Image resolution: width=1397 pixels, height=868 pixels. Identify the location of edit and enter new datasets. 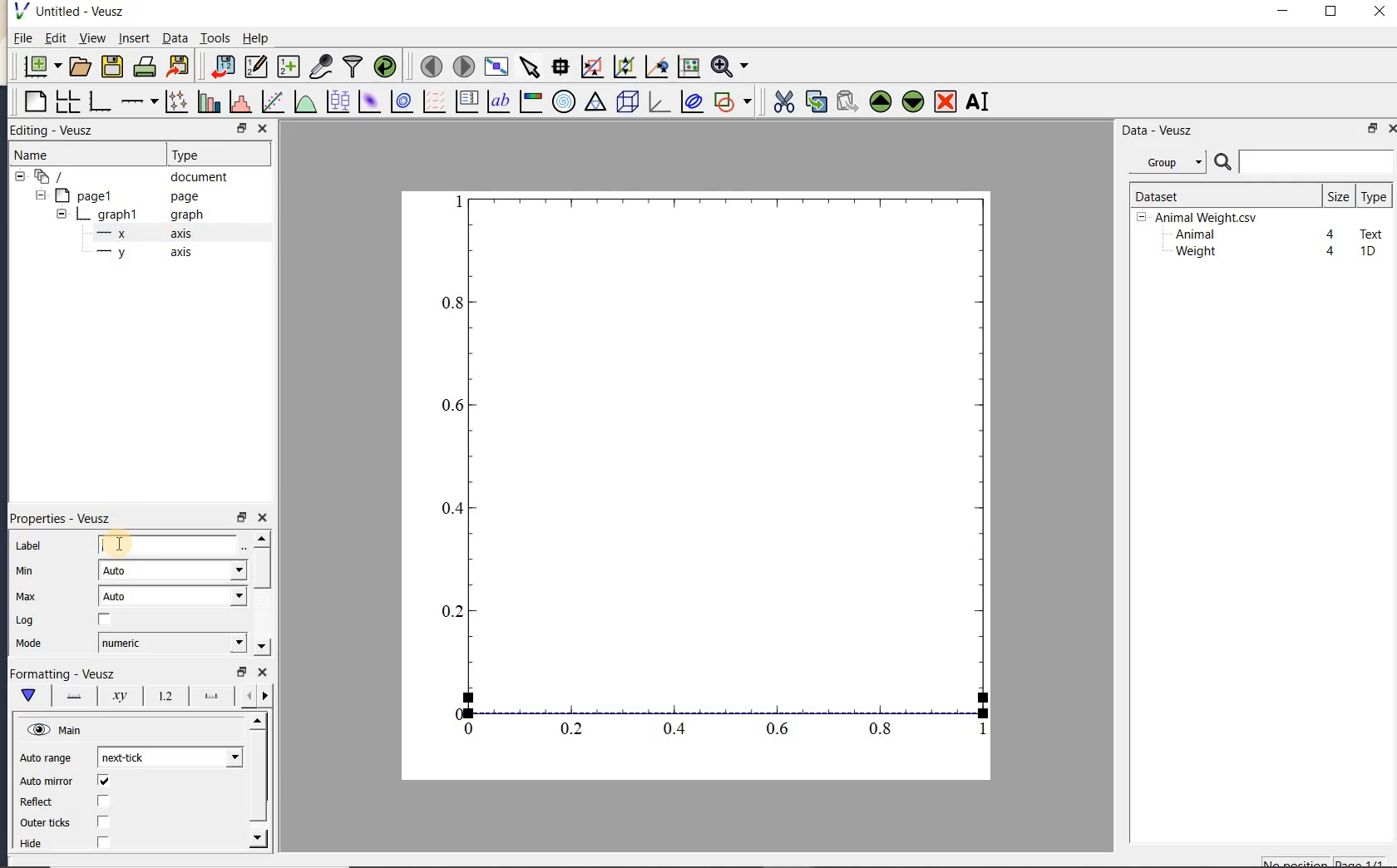
(255, 67).